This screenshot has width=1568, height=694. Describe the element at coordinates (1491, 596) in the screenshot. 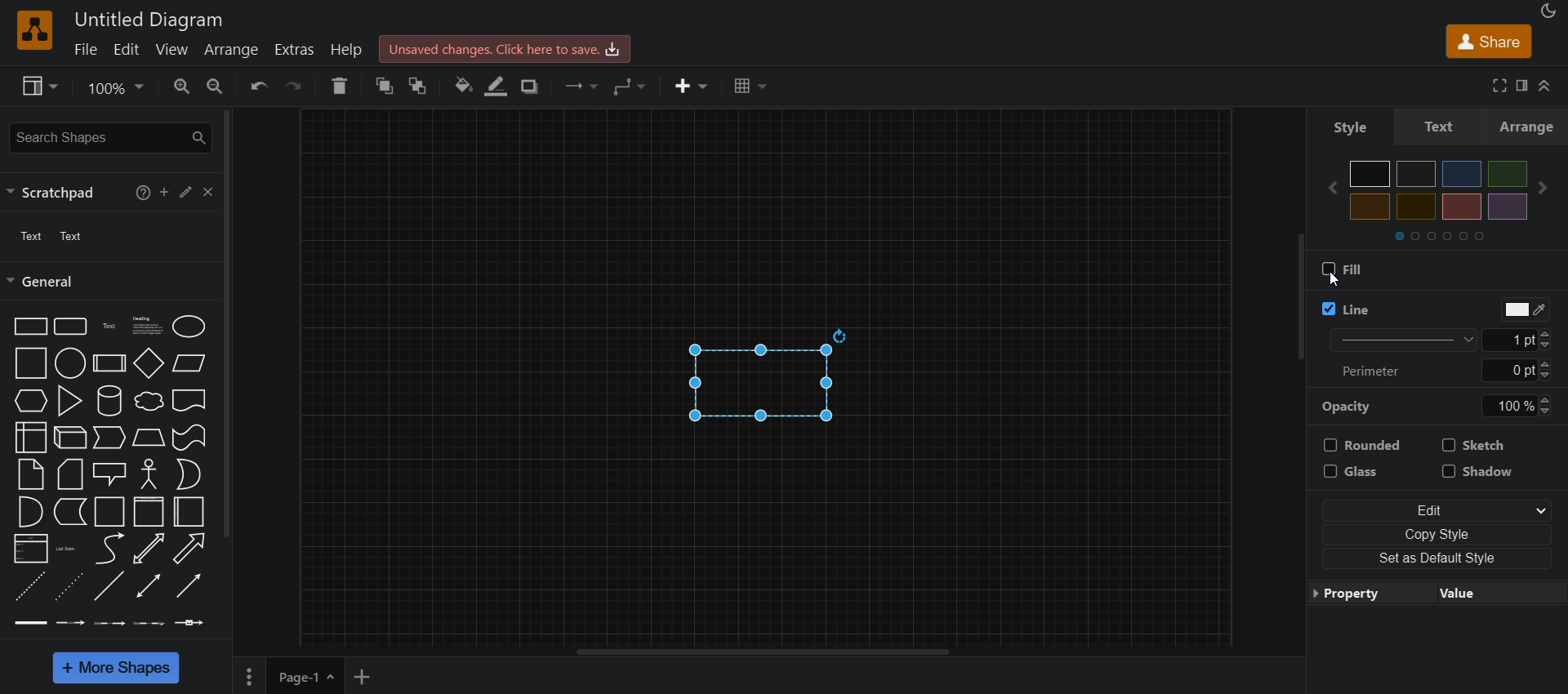

I see `value` at that location.